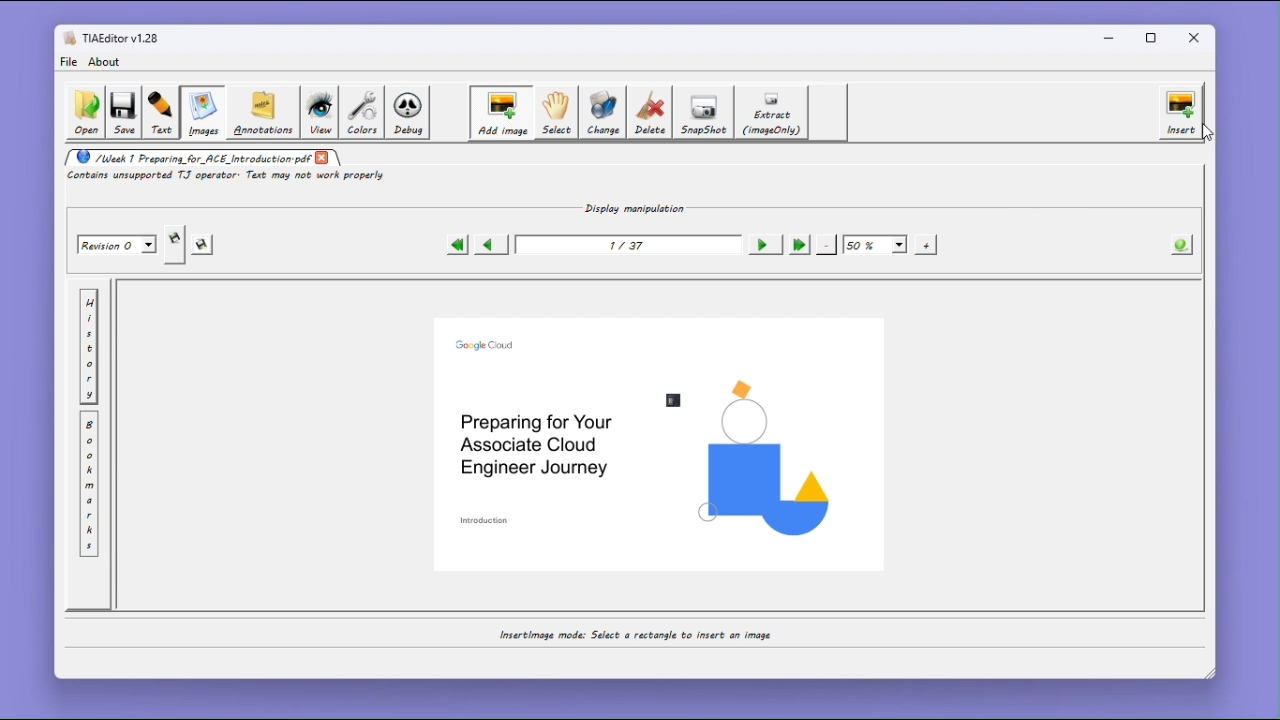 The height and width of the screenshot is (720, 1280). Describe the element at coordinates (188, 157) in the screenshot. I see `/Week 1 Preparing_for_ACE_Introduction.pdf` at that location.